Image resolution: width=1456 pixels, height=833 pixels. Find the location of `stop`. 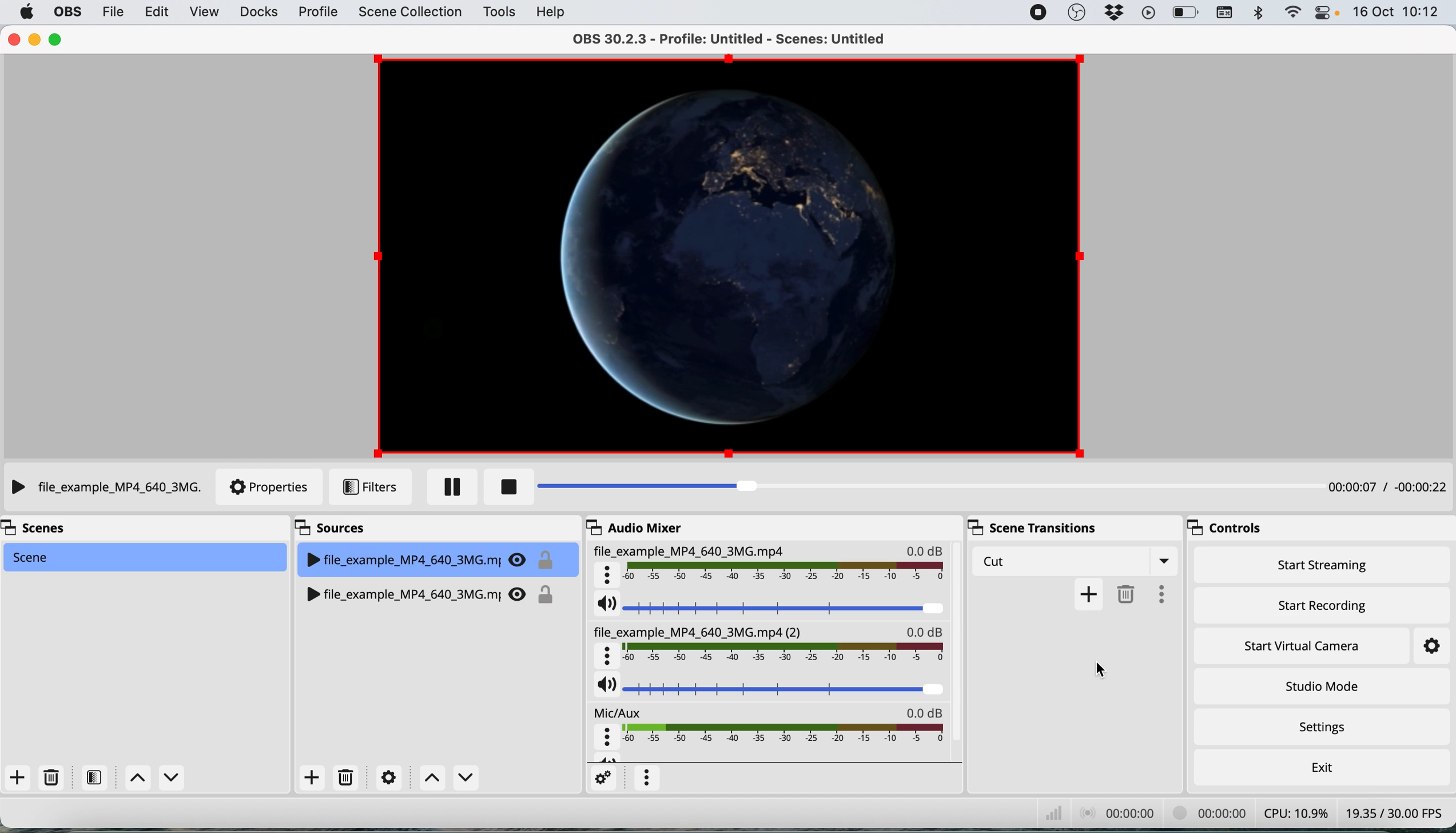

stop is located at coordinates (503, 490).